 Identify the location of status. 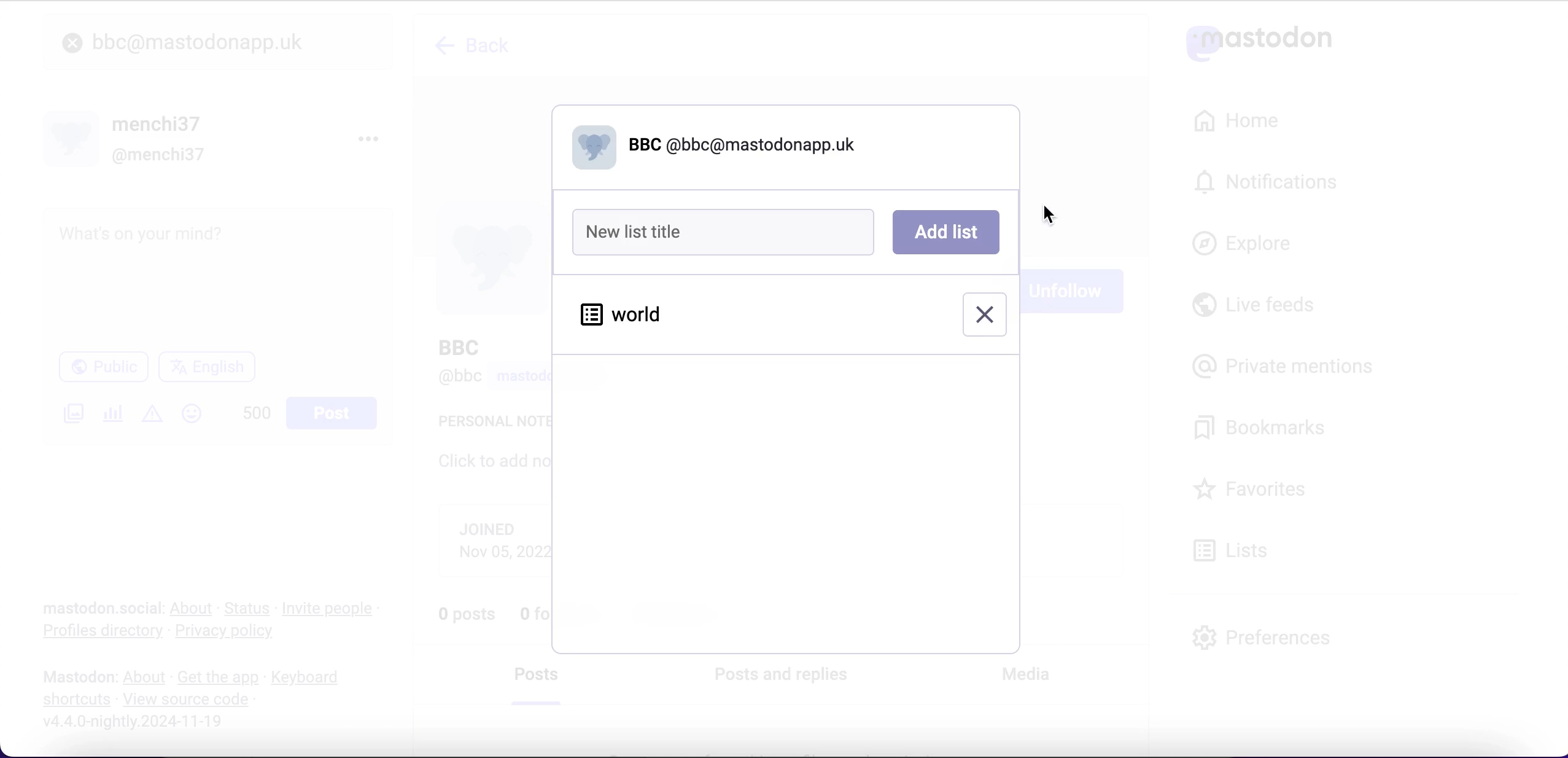
(249, 608).